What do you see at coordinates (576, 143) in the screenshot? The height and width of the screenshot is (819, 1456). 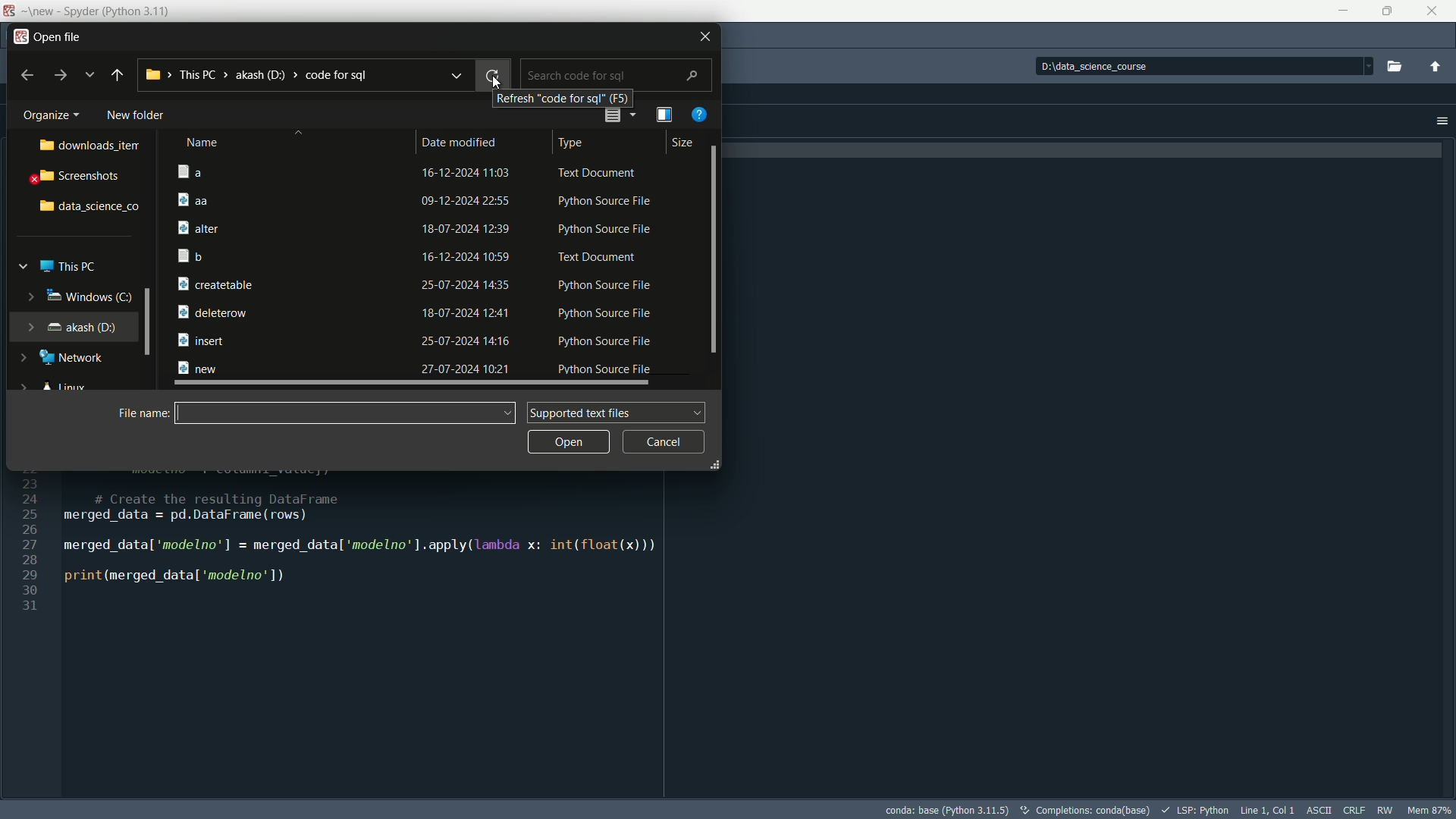 I see `type` at bounding box center [576, 143].